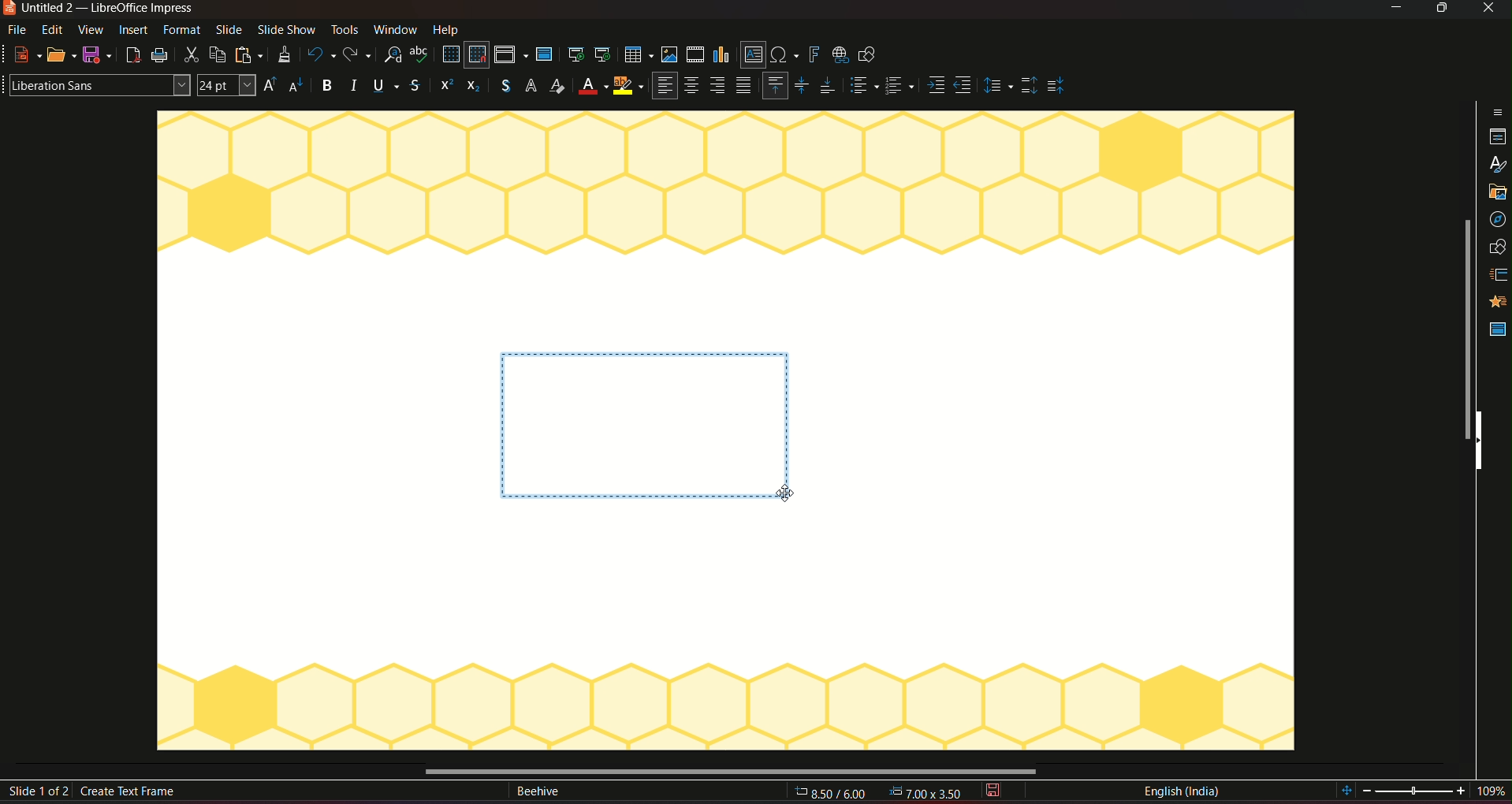 This screenshot has height=804, width=1512. I want to click on align left, so click(664, 86).